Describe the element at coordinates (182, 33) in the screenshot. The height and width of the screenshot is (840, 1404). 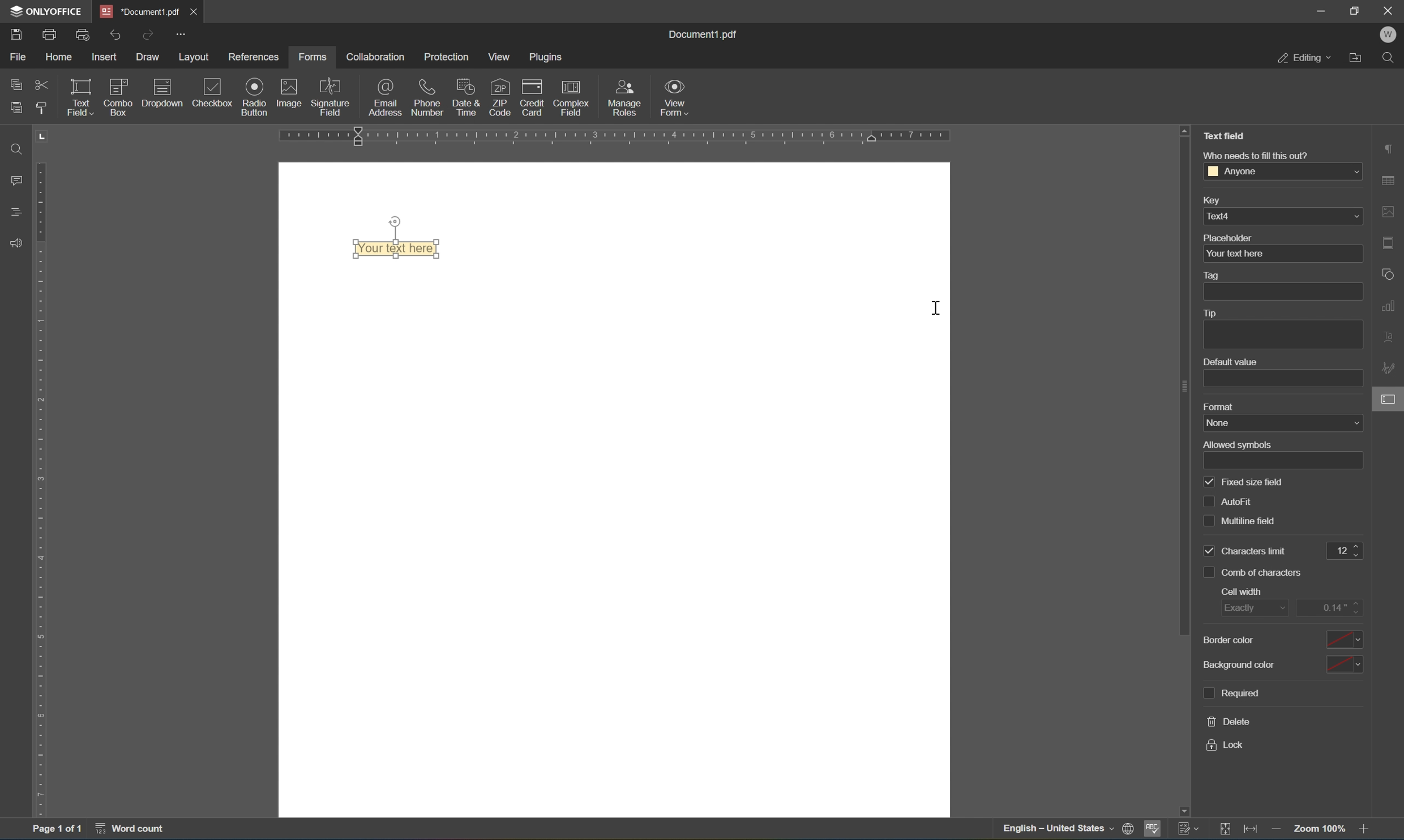
I see `more` at that location.